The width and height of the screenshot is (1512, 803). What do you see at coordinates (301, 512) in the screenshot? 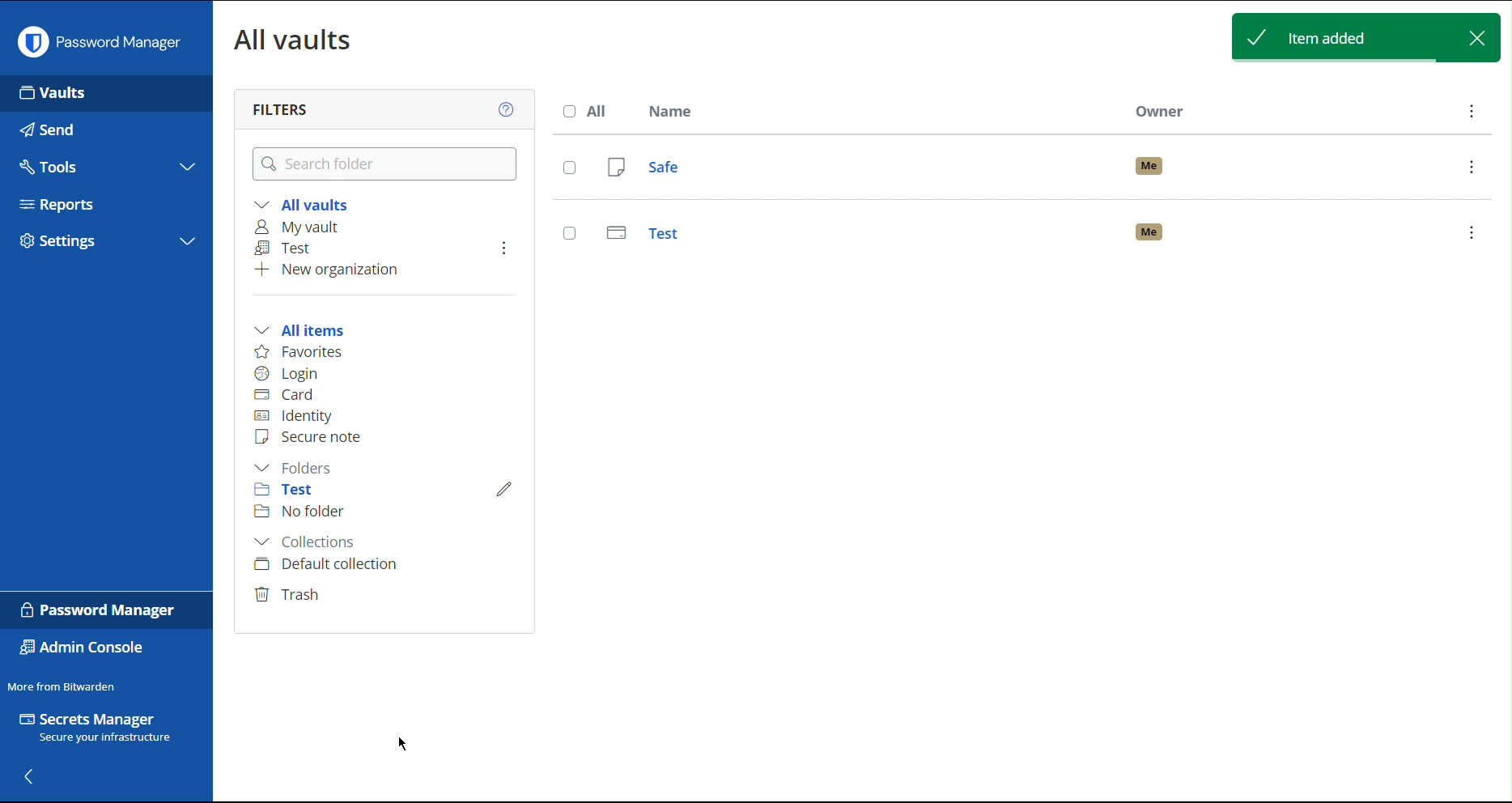
I see `No folder` at bounding box center [301, 512].